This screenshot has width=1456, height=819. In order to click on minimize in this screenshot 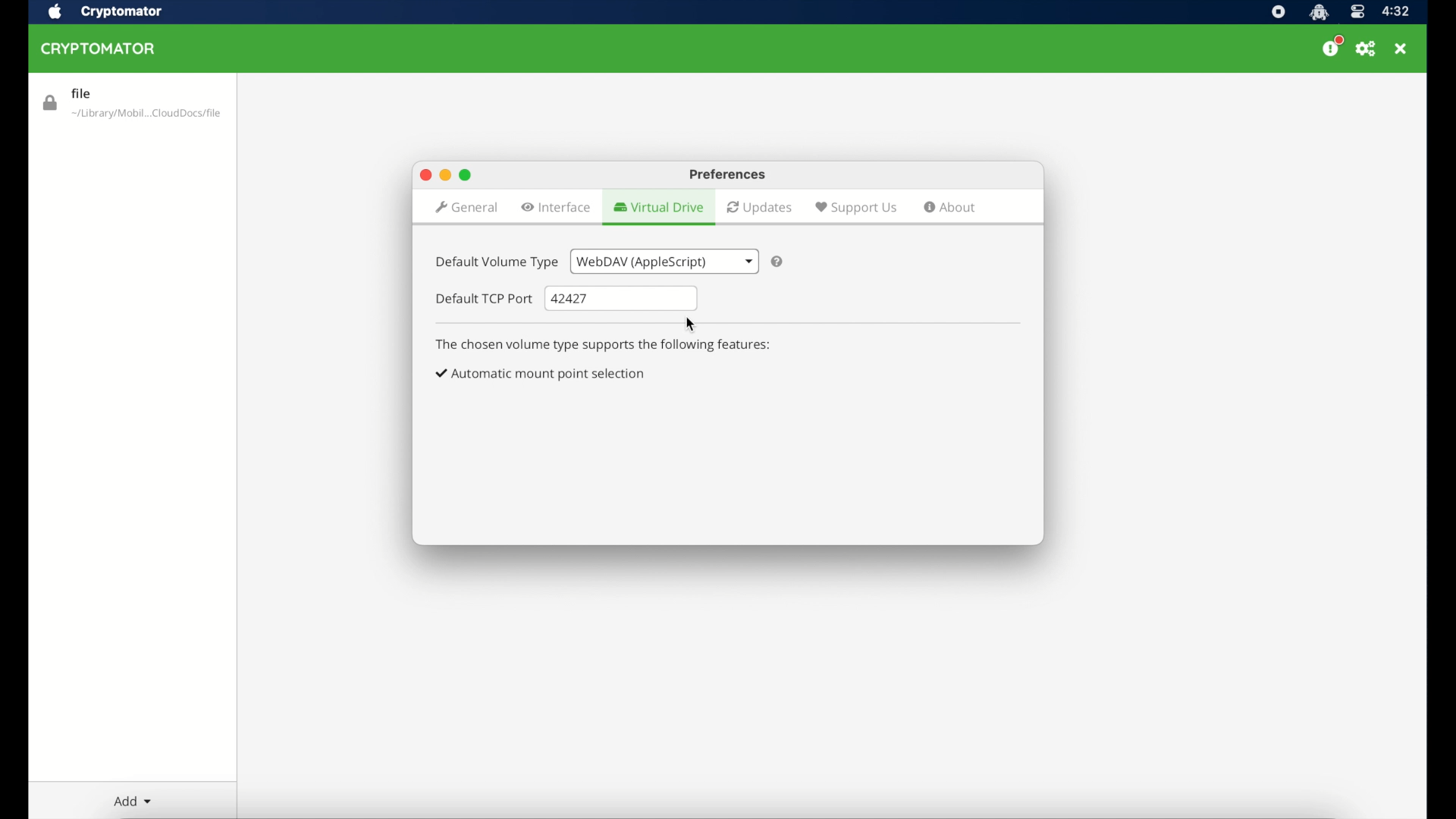, I will do `click(444, 175)`.